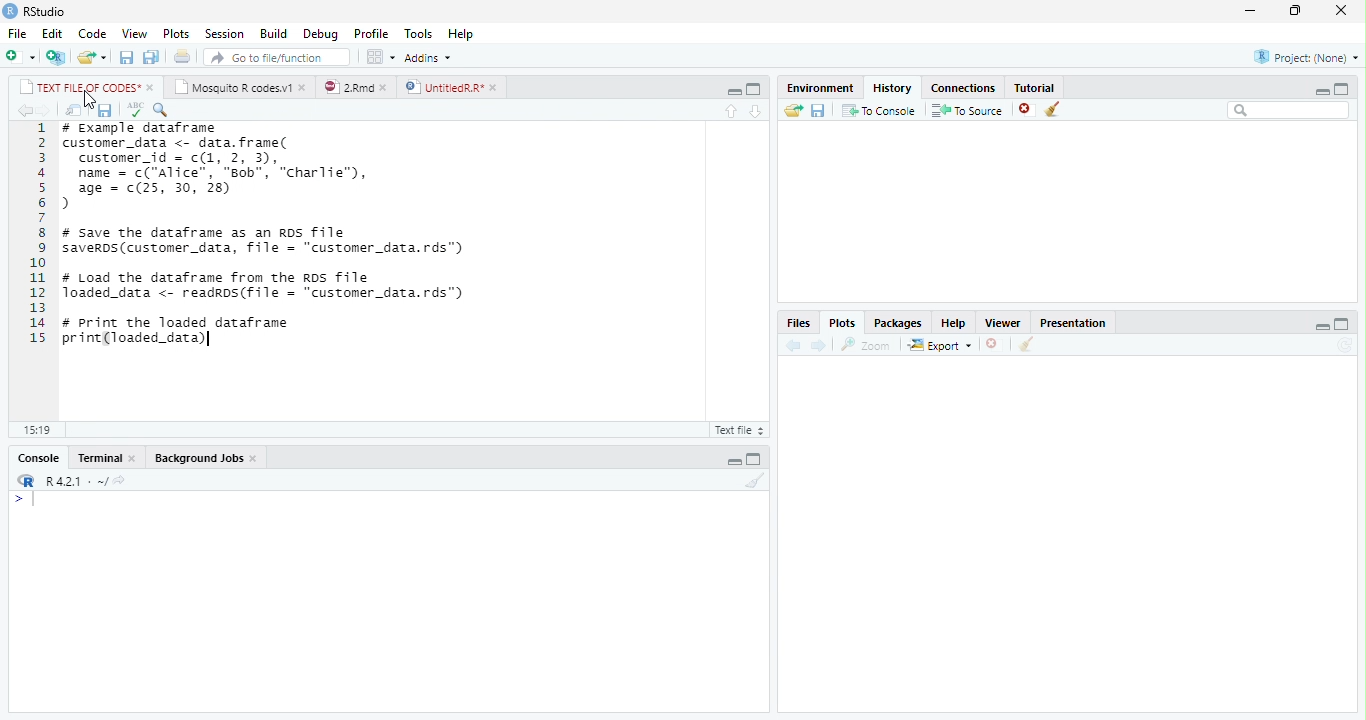  Describe the element at coordinates (76, 87) in the screenshot. I see `TEXT FILE OF CODES` at that location.